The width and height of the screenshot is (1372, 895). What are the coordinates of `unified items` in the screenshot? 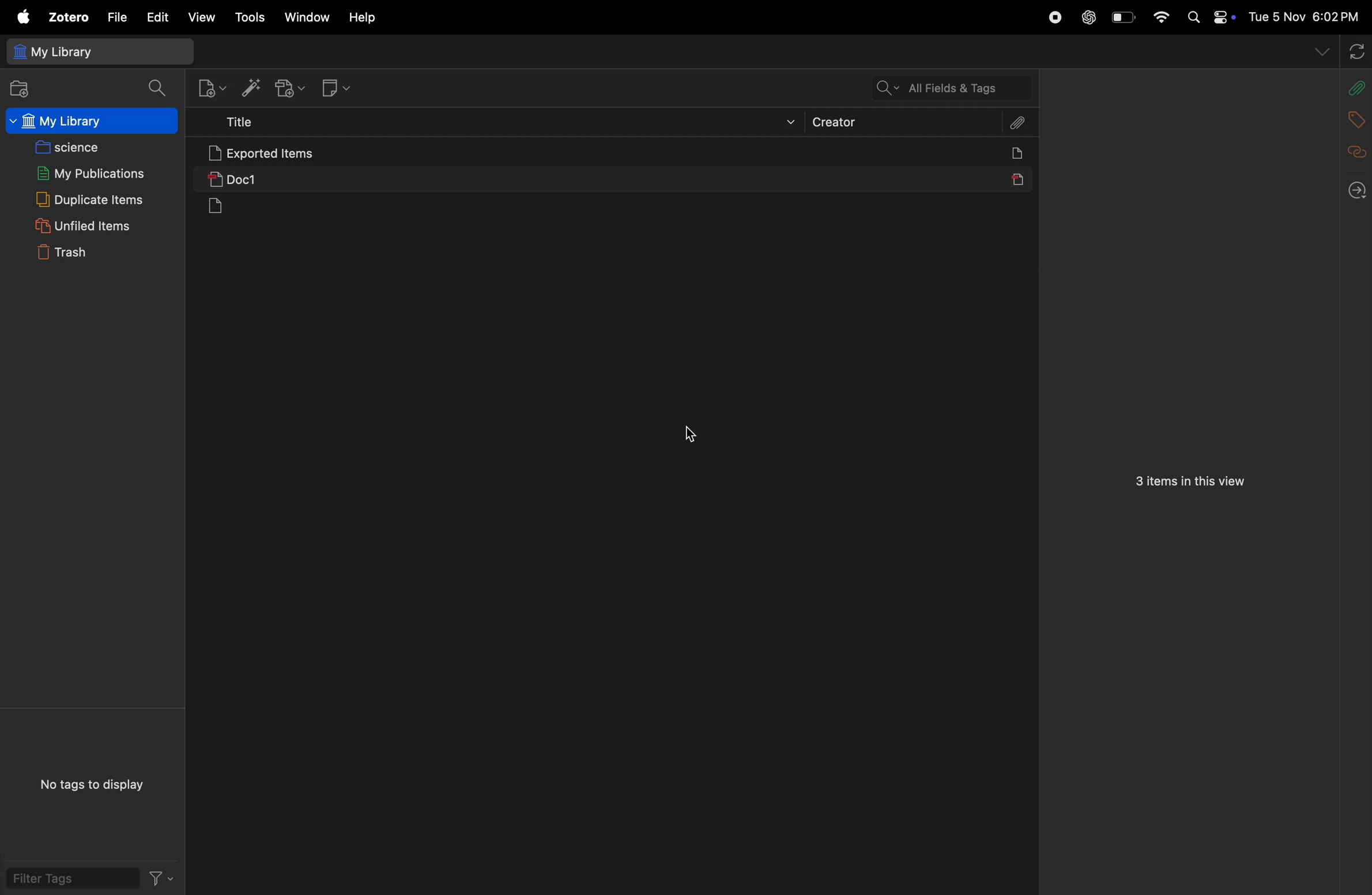 It's located at (82, 228).